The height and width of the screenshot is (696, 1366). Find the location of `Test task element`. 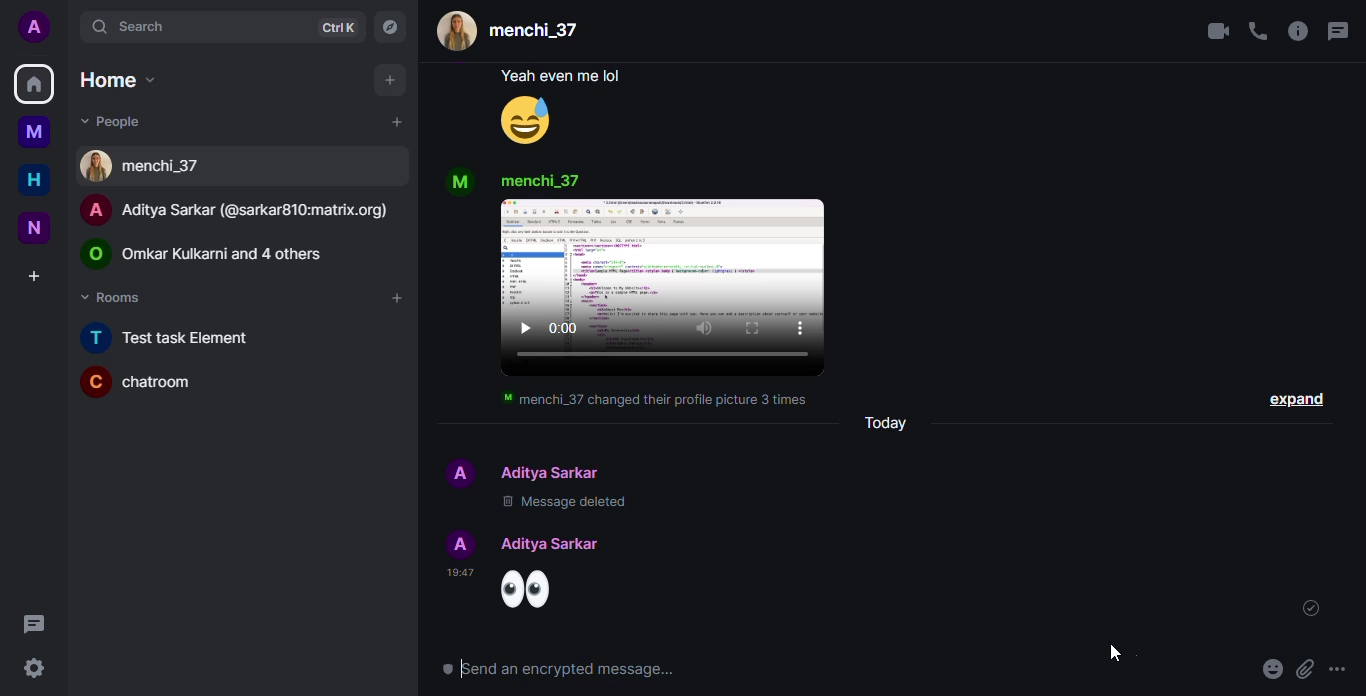

Test task element is located at coordinates (179, 337).